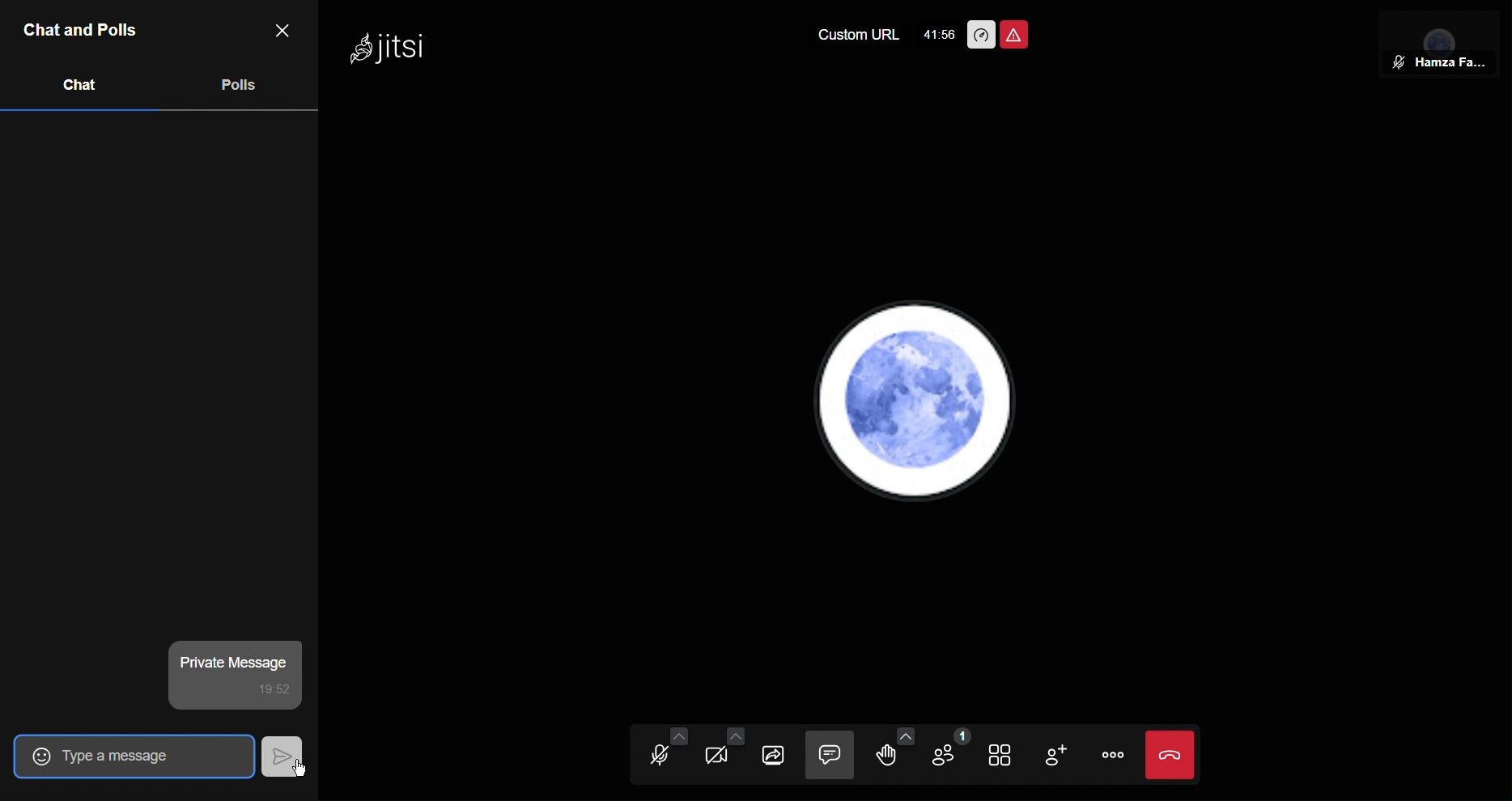 This screenshot has width=1512, height=801. I want to click on Raise Hand, so click(898, 751).